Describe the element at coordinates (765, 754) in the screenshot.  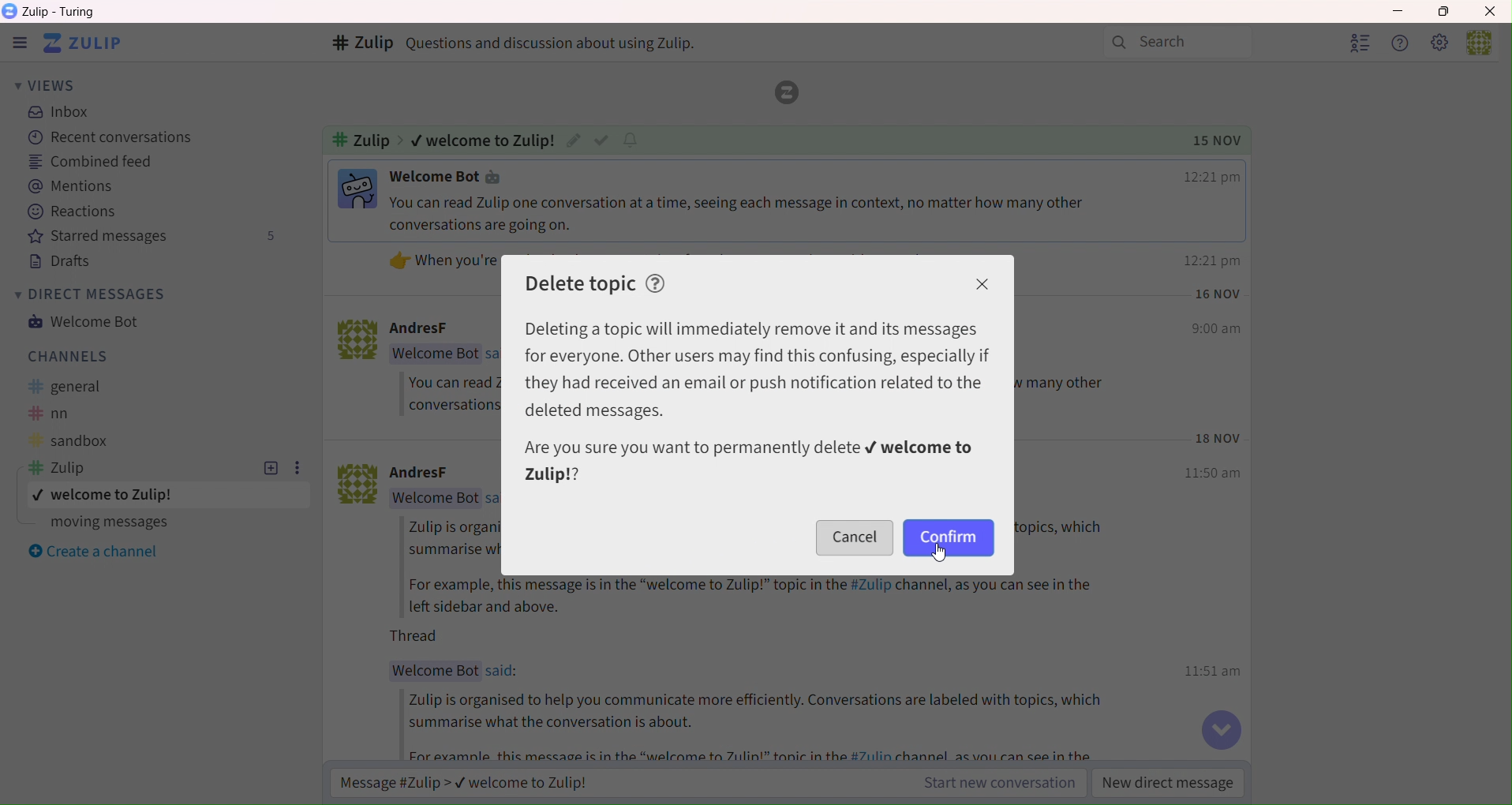
I see `Text` at that location.